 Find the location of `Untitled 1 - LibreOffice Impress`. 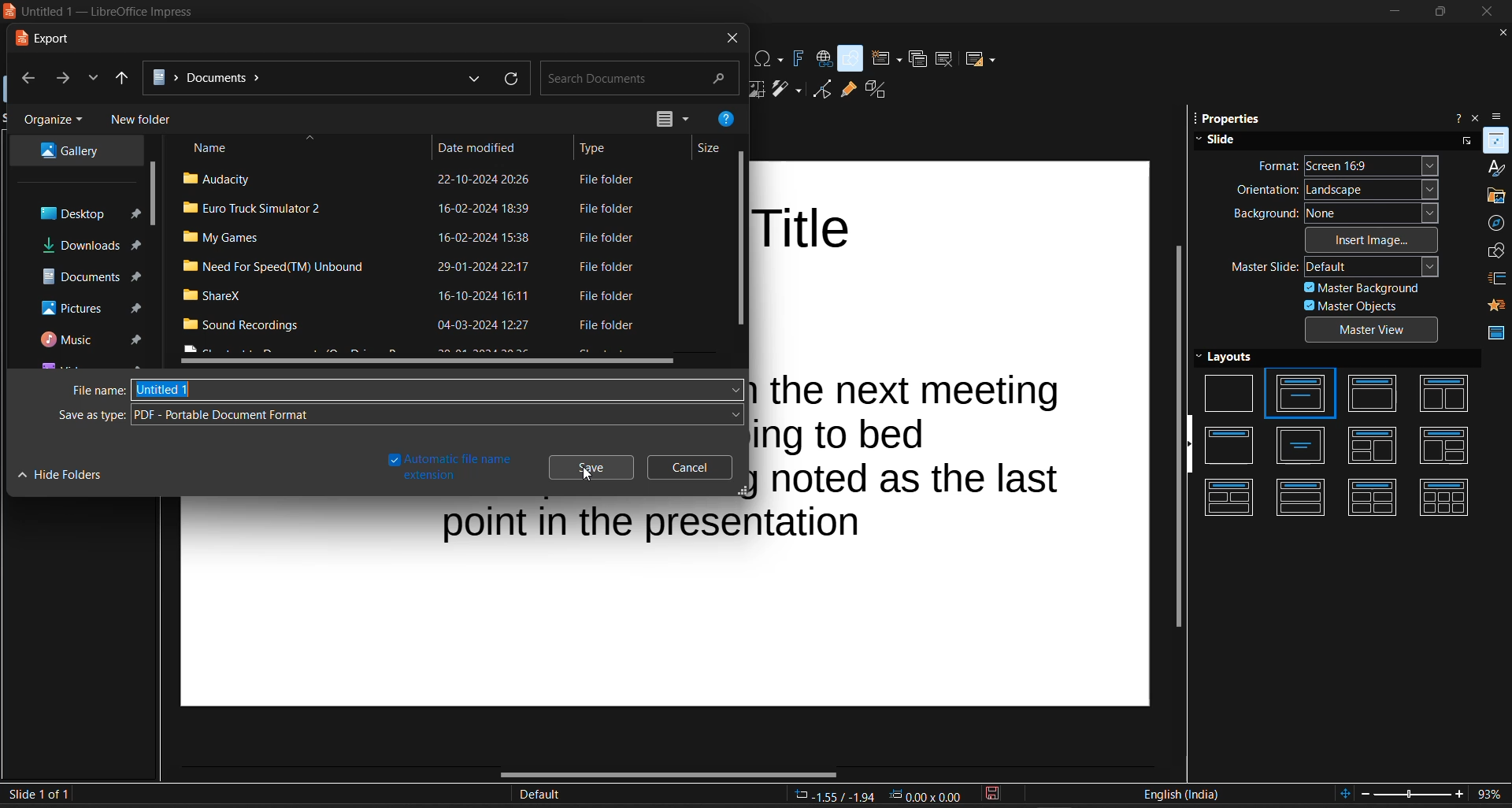

Untitled 1 - LibreOffice Impress is located at coordinates (105, 12).